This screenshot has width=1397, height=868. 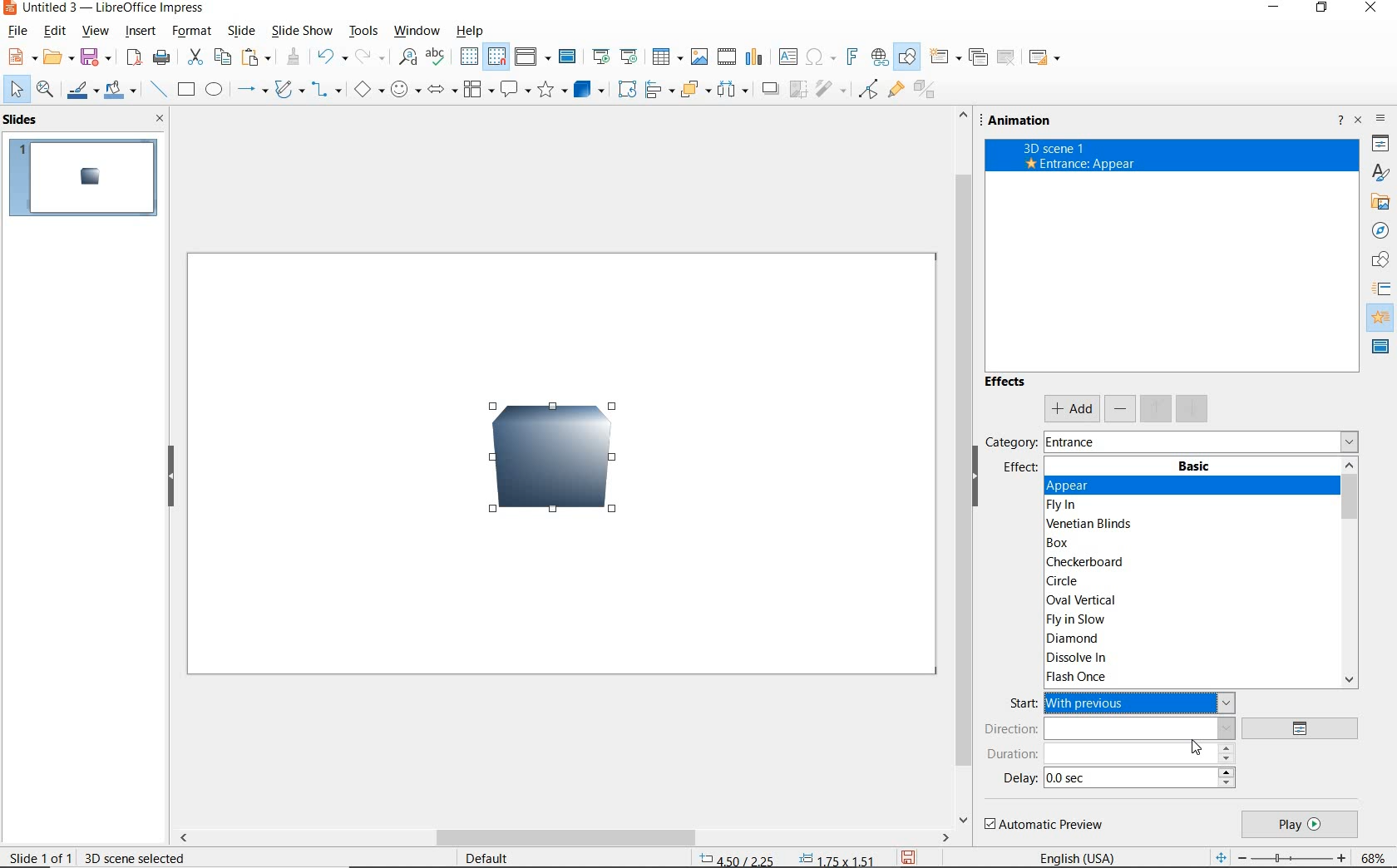 What do you see at coordinates (190, 31) in the screenshot?
I see `format` at bounding box center [190, 31].